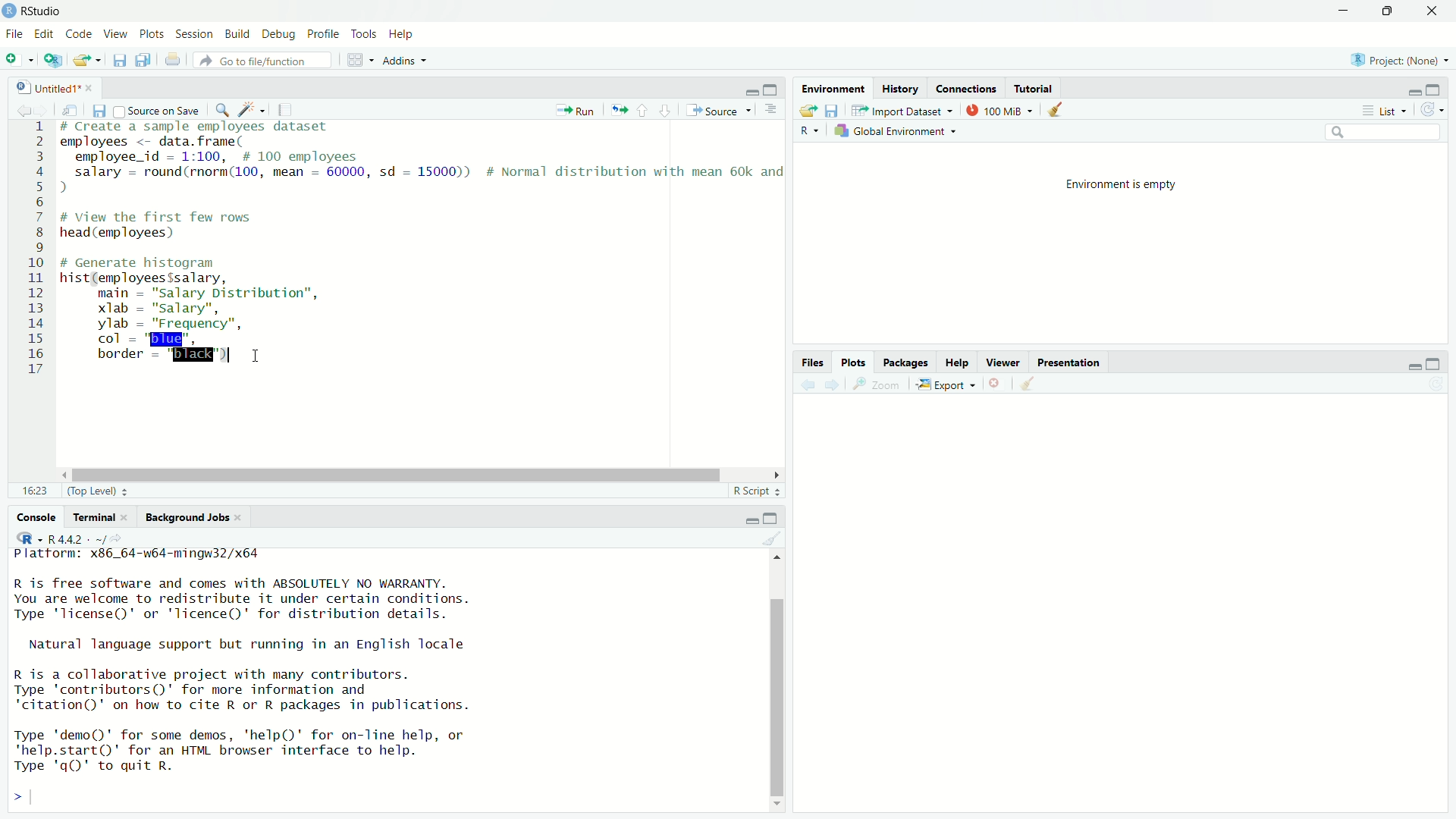  Describe the element at coordinates (833, 385) in the screenshot. I see `next` at that location.